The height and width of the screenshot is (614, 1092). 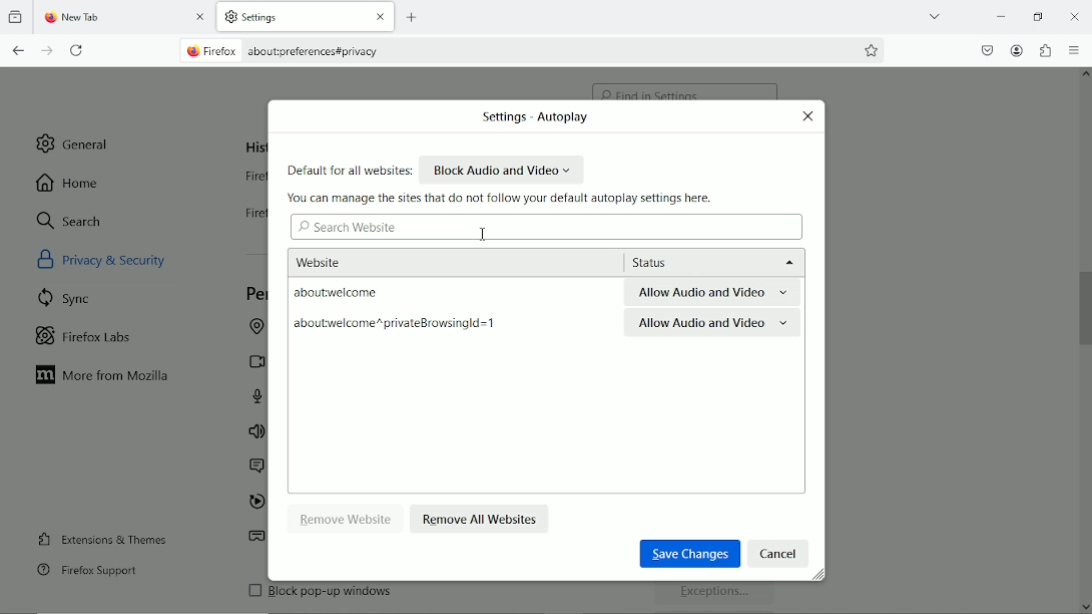 What do you see at coordinates (503, 169) in the screenshot?
I see `black audio and video` at bounding box center [503, 169].